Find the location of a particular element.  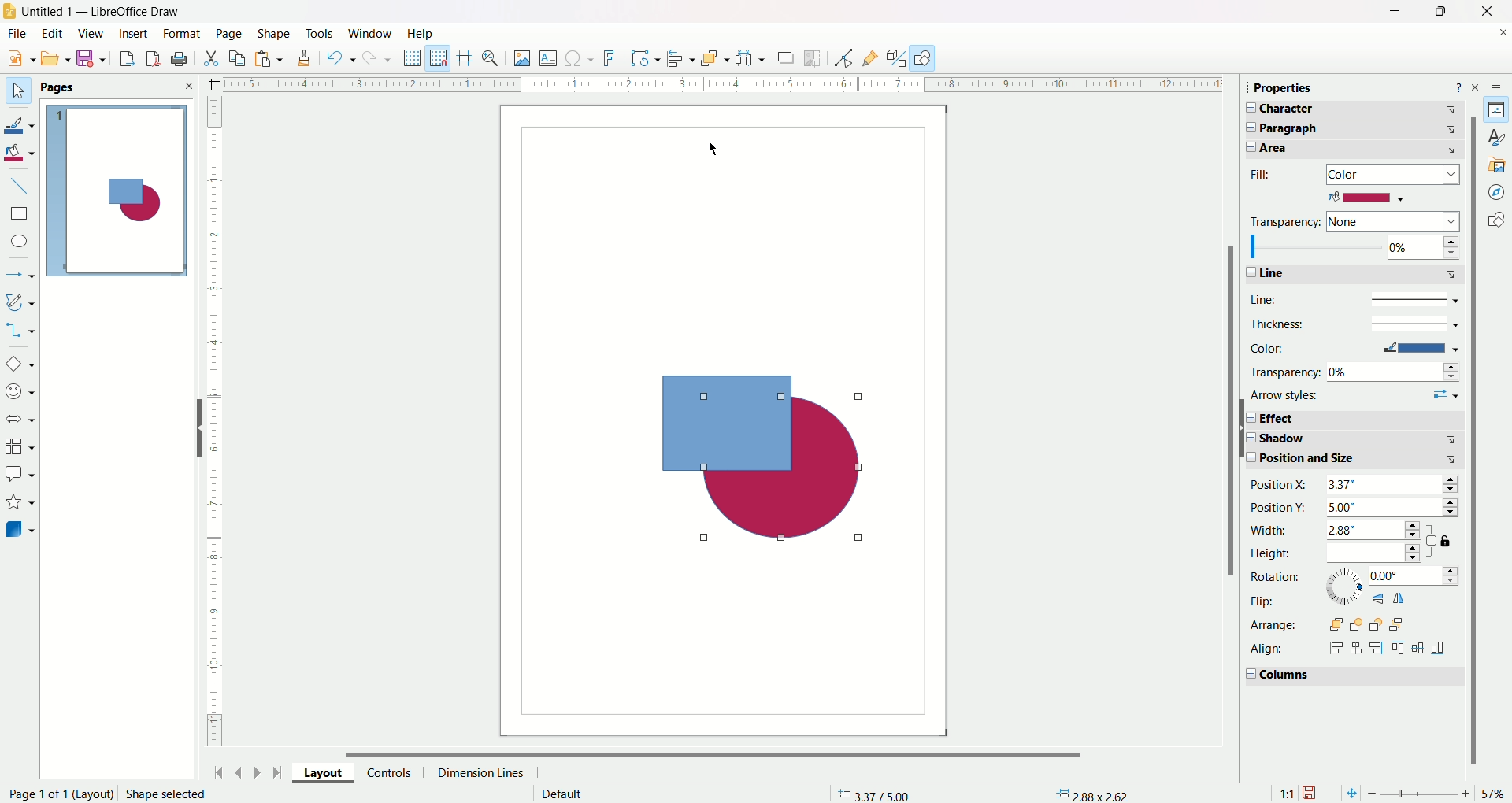

insert special character is located at coordinates (580, 59).